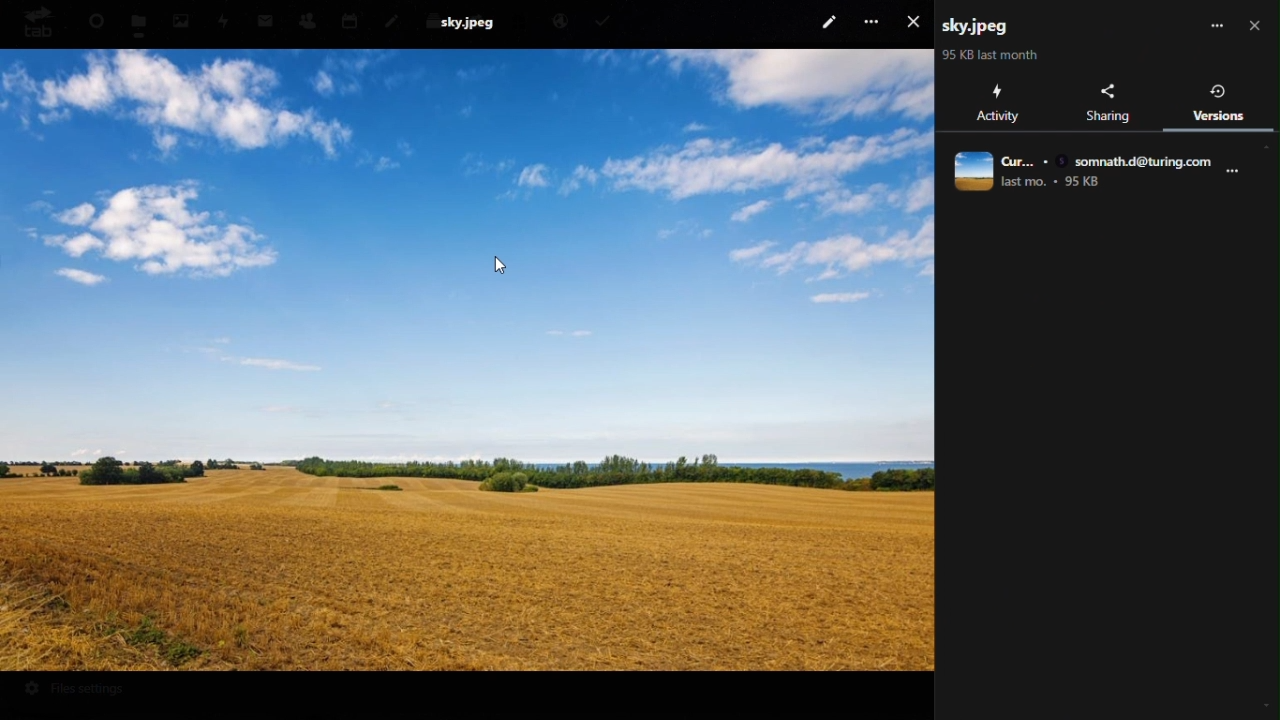 This screenshot has width=1280, height=720. What do you see at coordinates (1254, 23) in the screenshot?
I see `Close` at bounding box center [1254, 23].